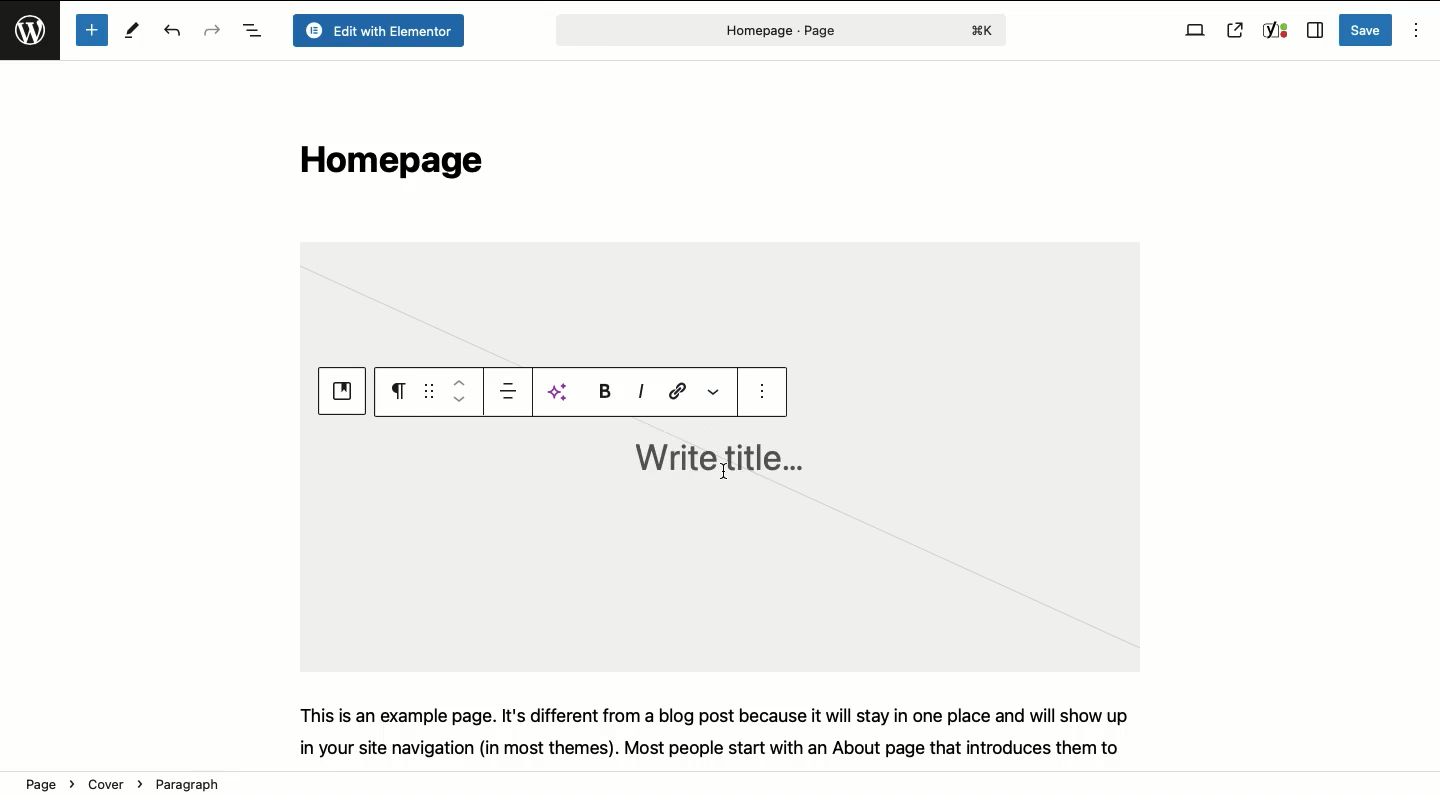  Describe the element at coordinates (1414, 31) in the screenshot. I see `Options` at that location.